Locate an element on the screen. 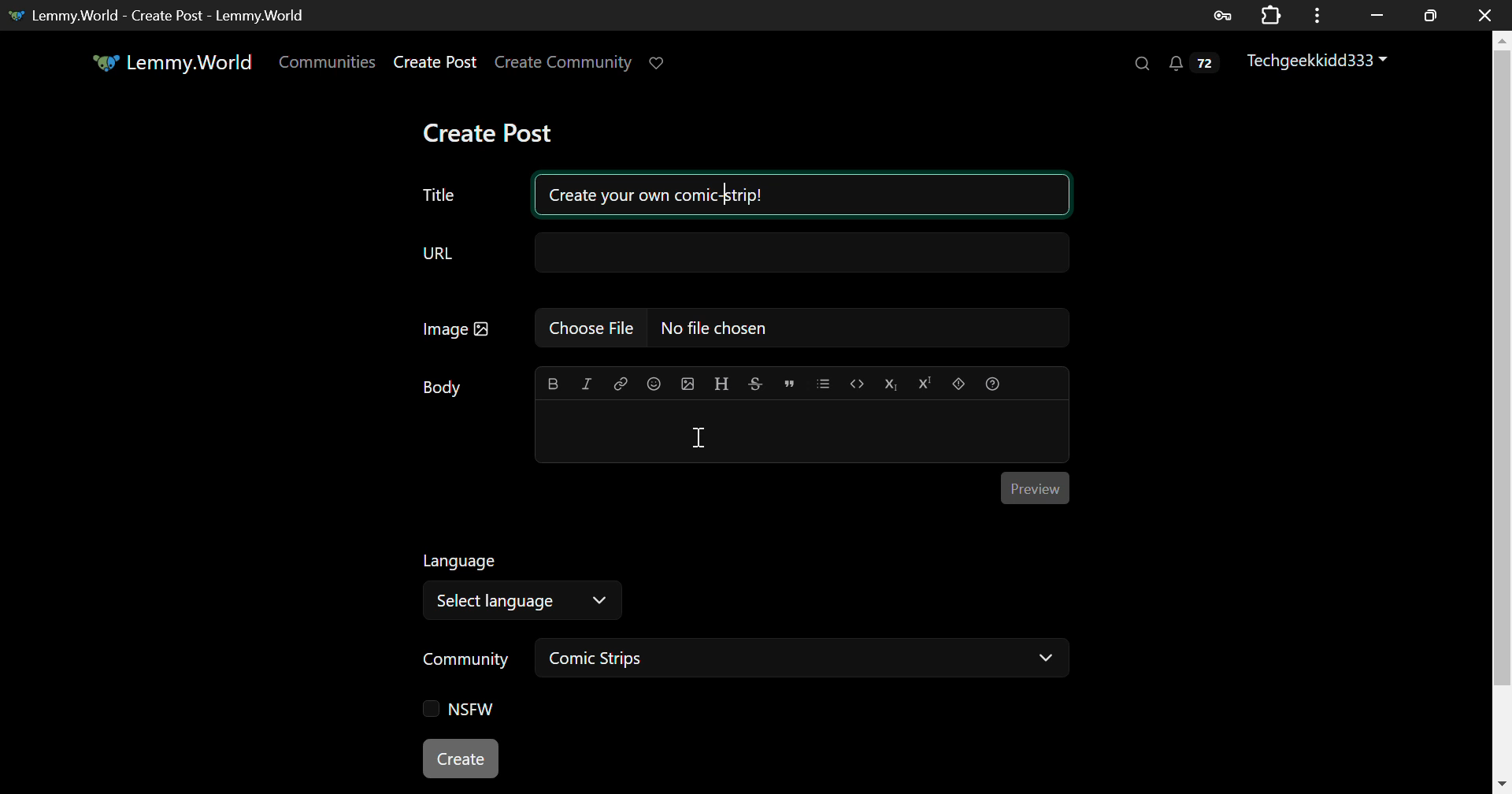 The height and width of the screenshot is (794, 1512). Close Window is located at coordinates (1488, 15).